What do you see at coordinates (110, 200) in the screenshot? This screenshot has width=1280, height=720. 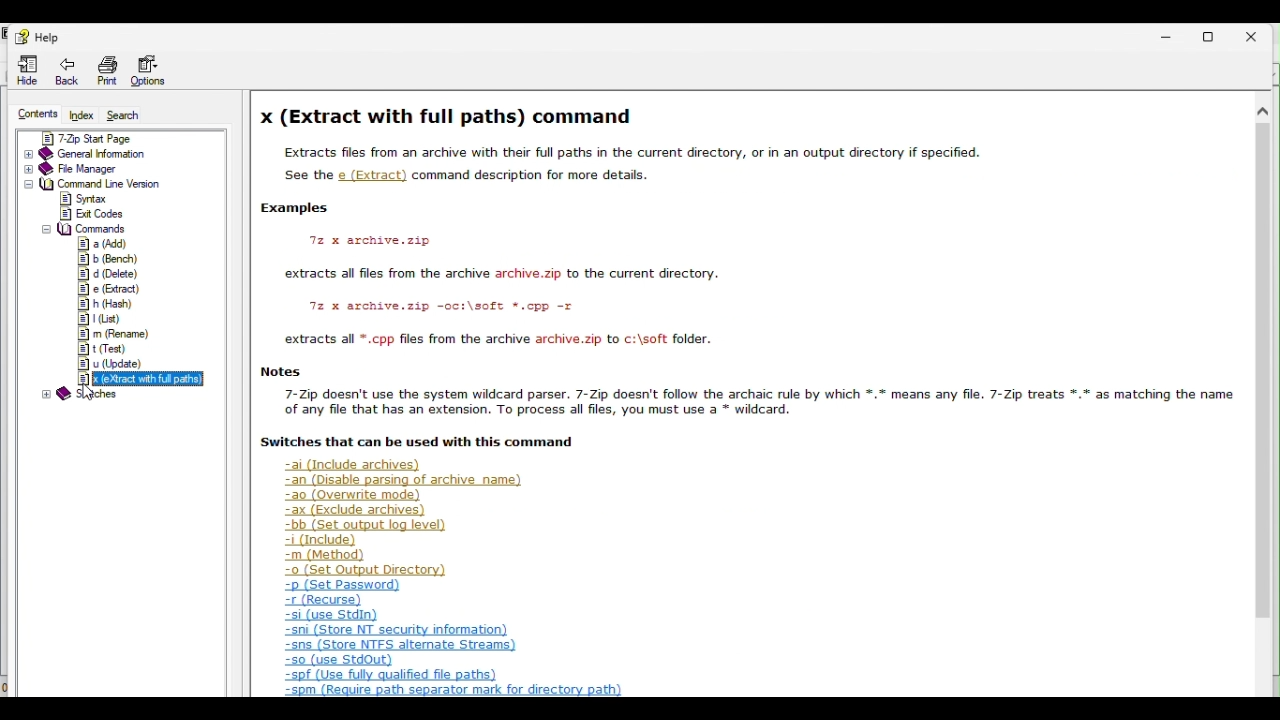 I see `Syntax` at bounding box center [110, 200].